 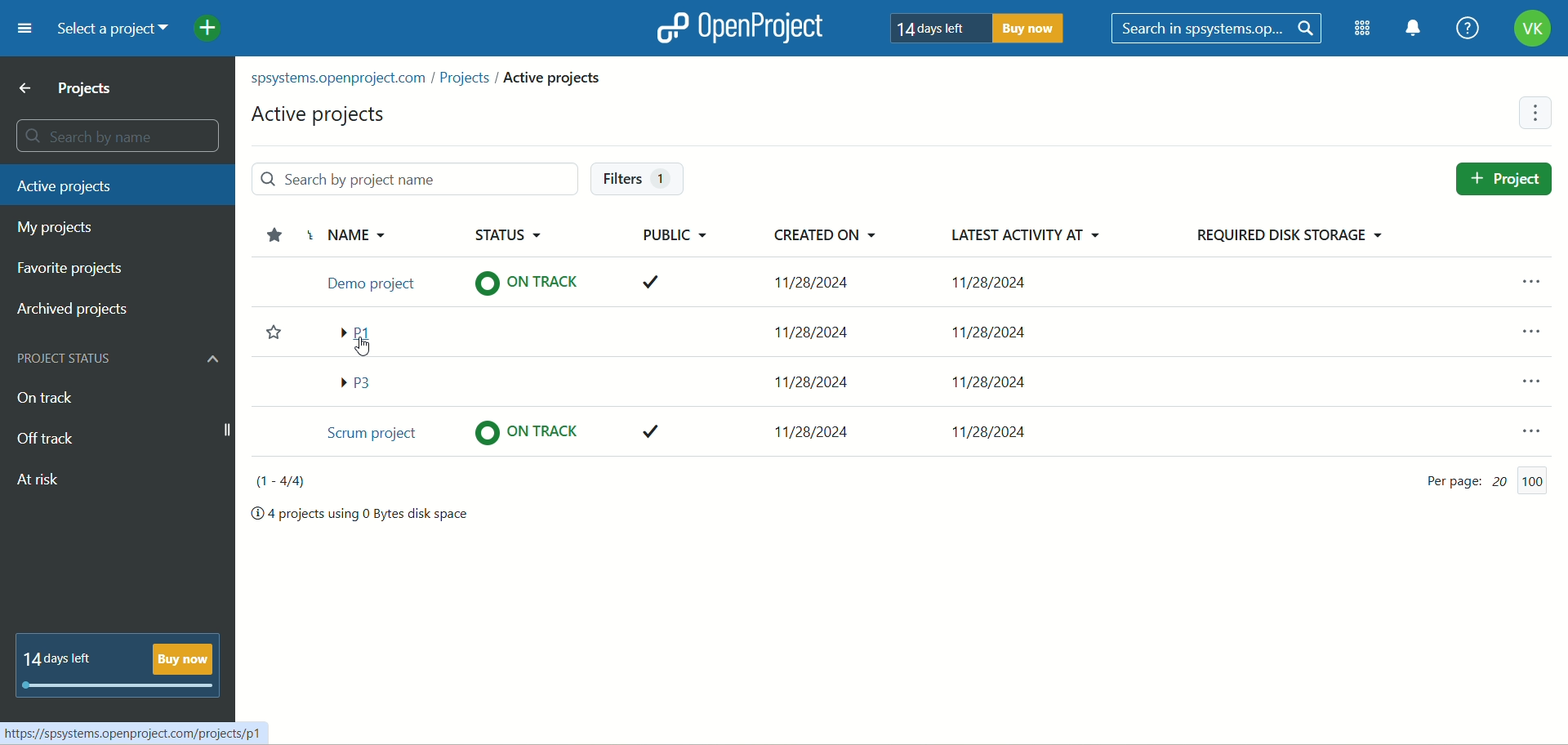 What do you see at coordinates (1530, 326) in the screenshot?
I see `menu` at bounding box center [1530, 326].